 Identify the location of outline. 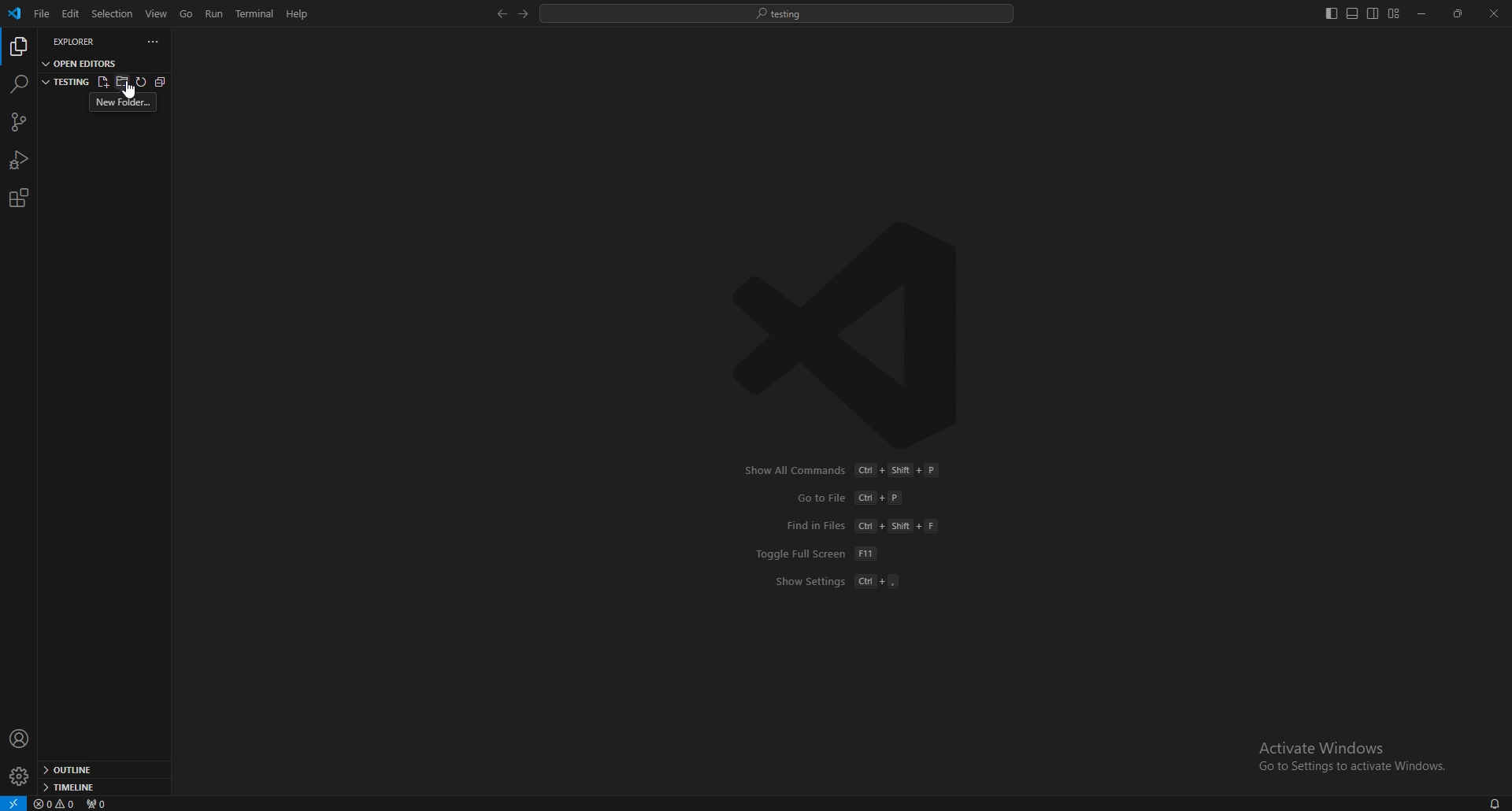
(102, 771).